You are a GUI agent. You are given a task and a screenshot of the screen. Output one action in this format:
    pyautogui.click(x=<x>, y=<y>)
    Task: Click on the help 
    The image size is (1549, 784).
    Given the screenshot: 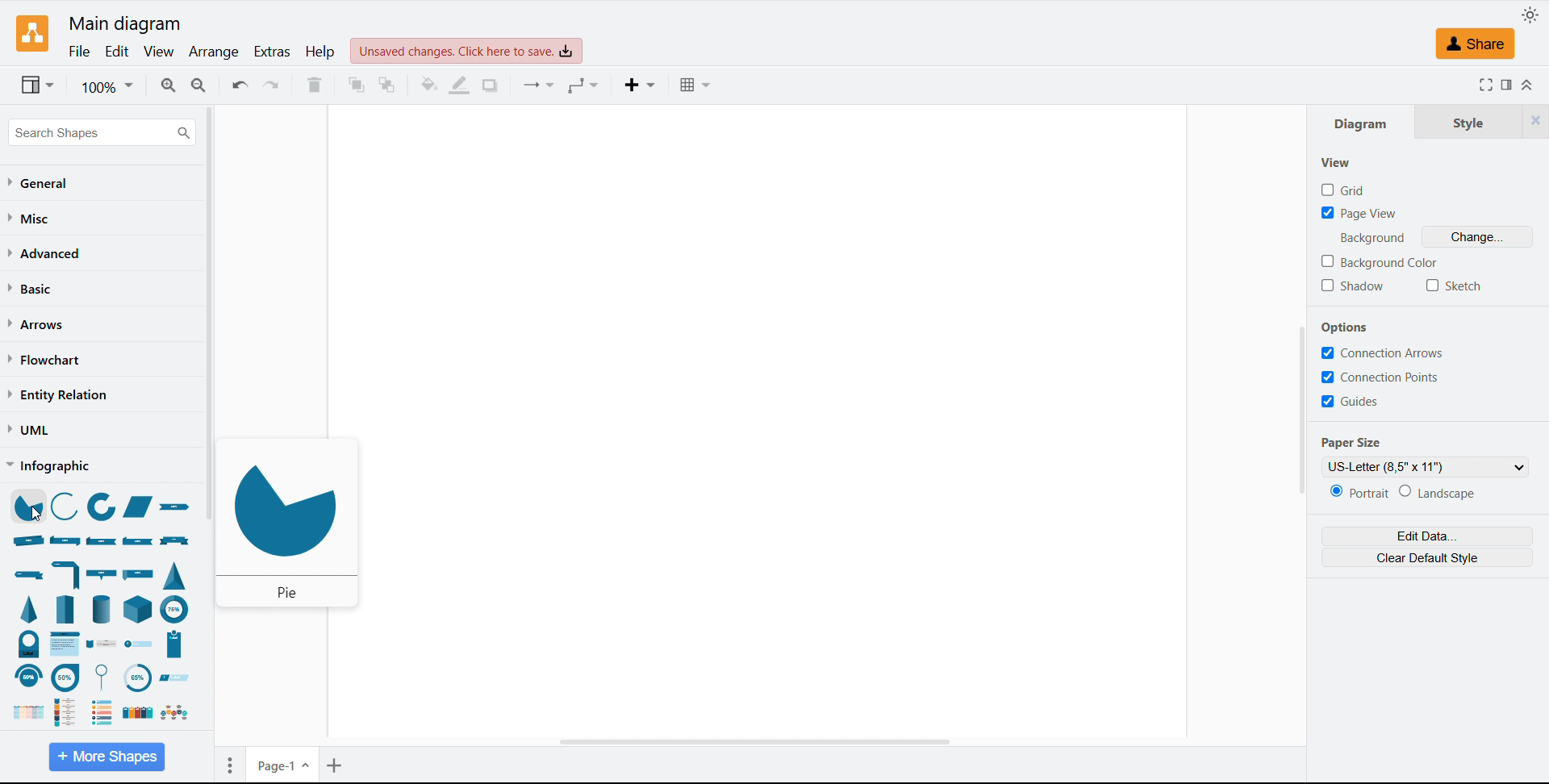 What is the action you would take?
    pyautogui.click(x=320, y=52)
    